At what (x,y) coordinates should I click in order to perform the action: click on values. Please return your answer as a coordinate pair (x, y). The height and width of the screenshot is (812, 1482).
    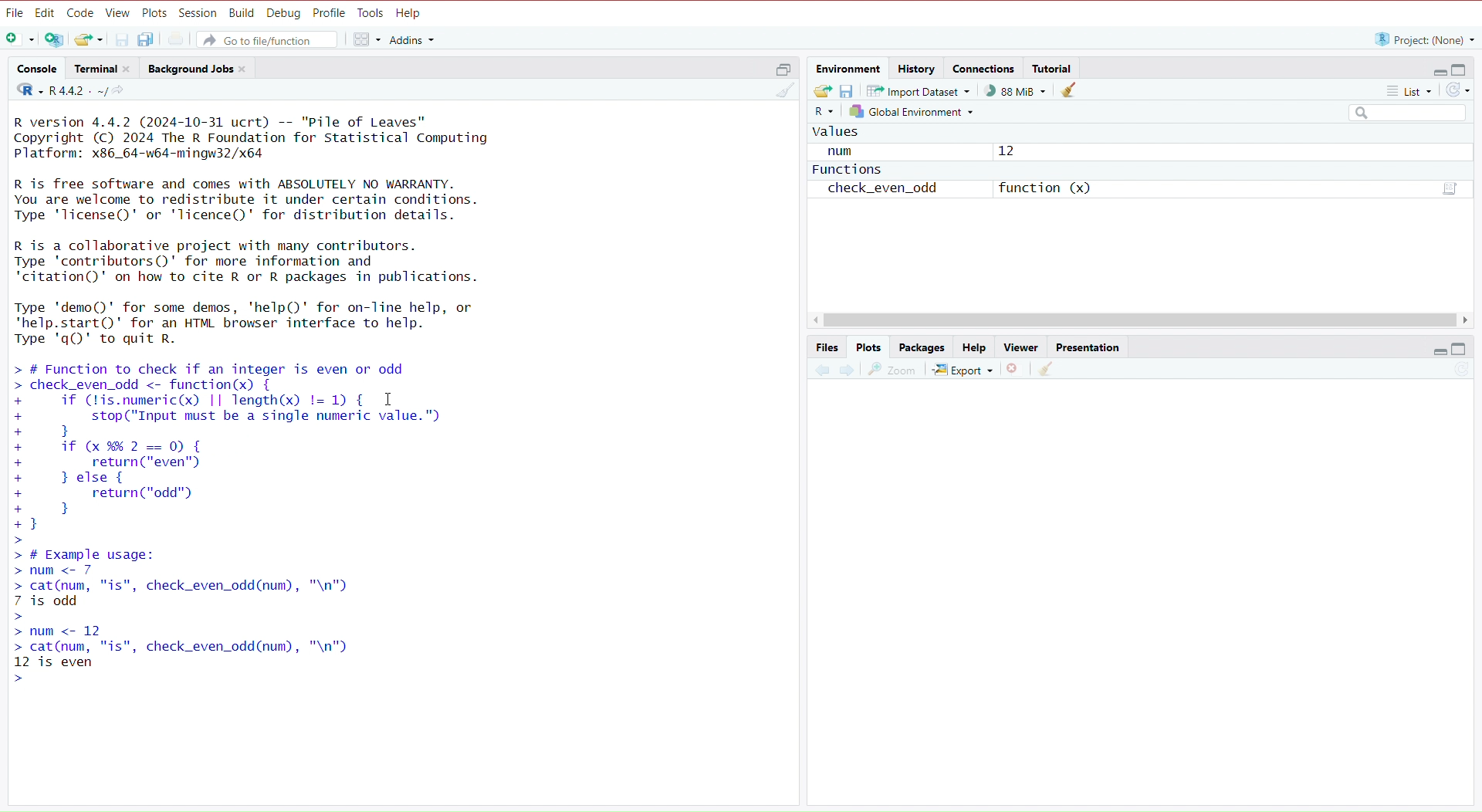
    Looking at the image, I should click on (839, 135).